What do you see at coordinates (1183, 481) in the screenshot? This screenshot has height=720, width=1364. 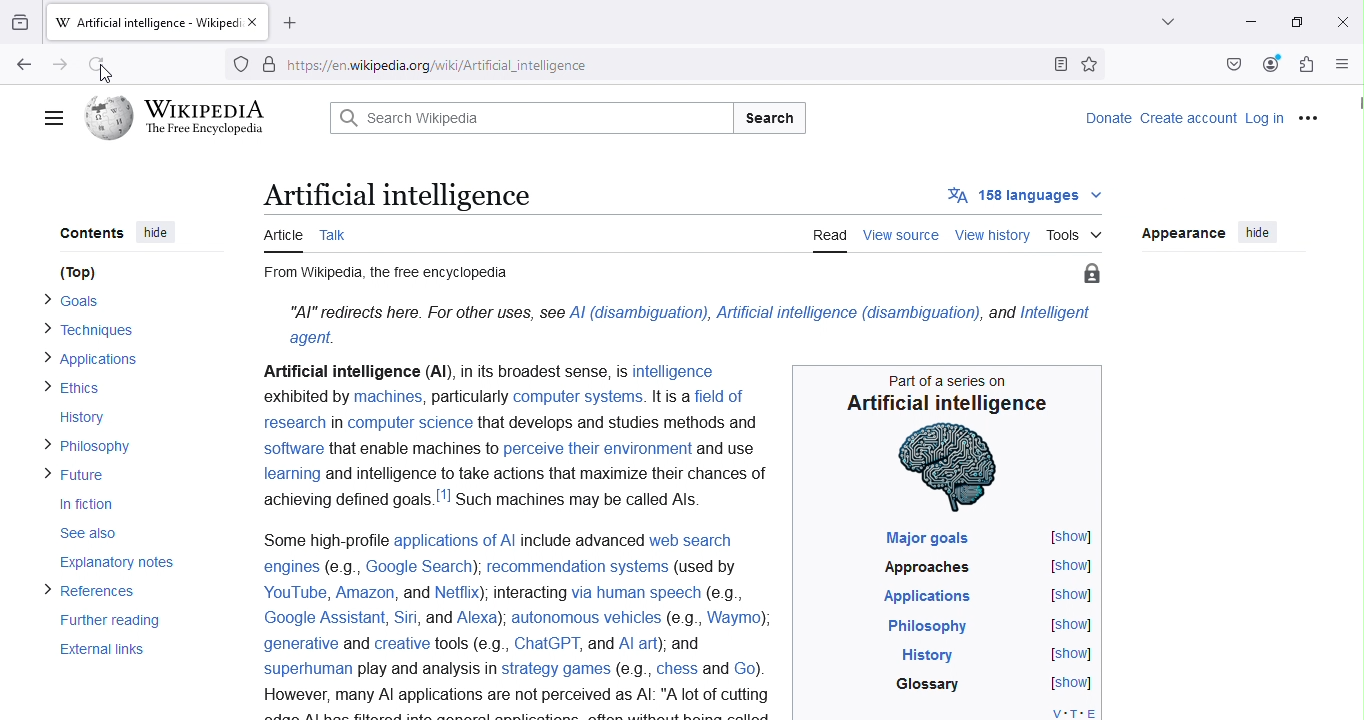 I see `Wide` at bounding box center [1183, 481].